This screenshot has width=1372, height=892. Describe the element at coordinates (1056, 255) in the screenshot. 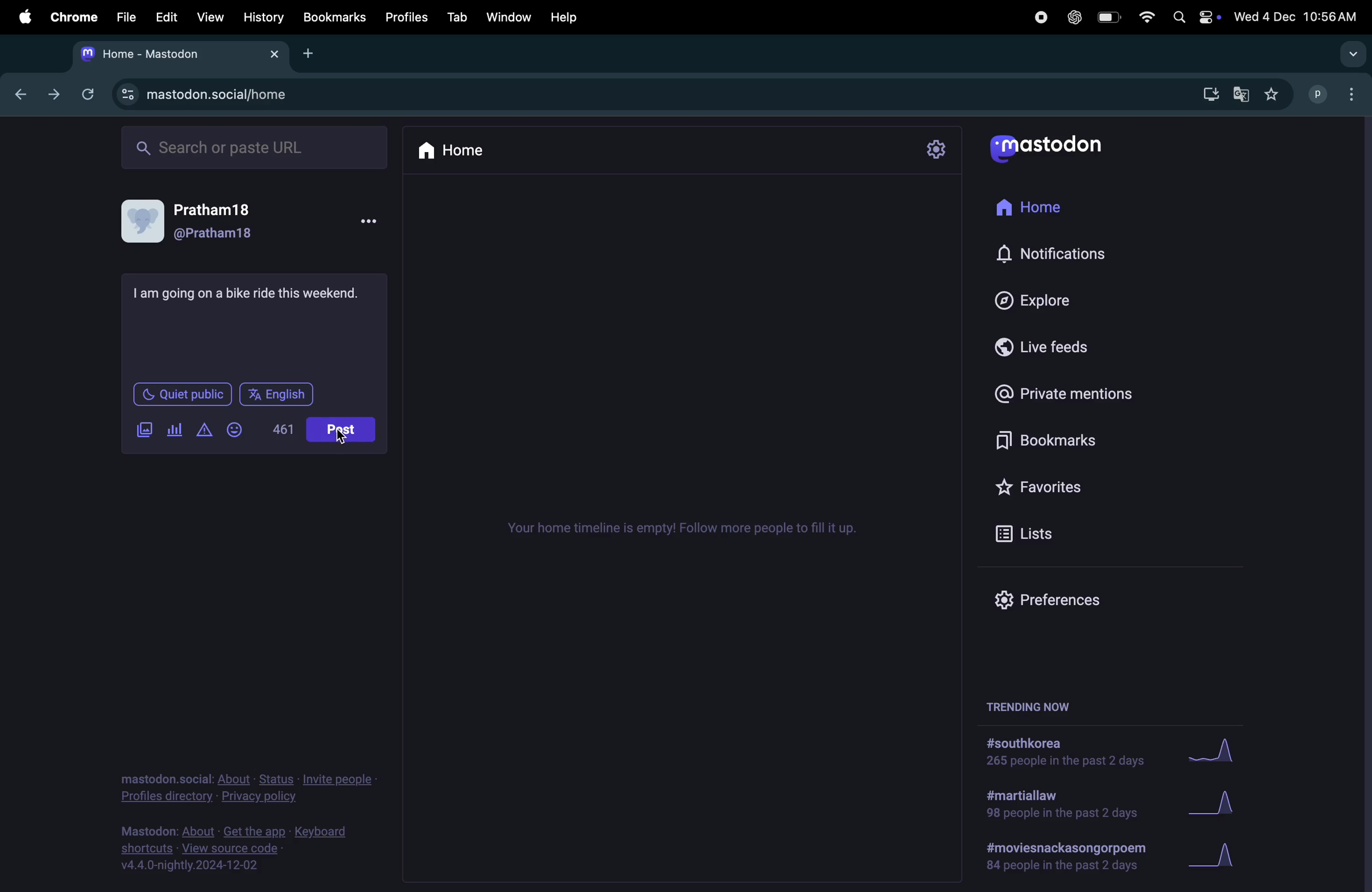

I see `Notifications` at that location.